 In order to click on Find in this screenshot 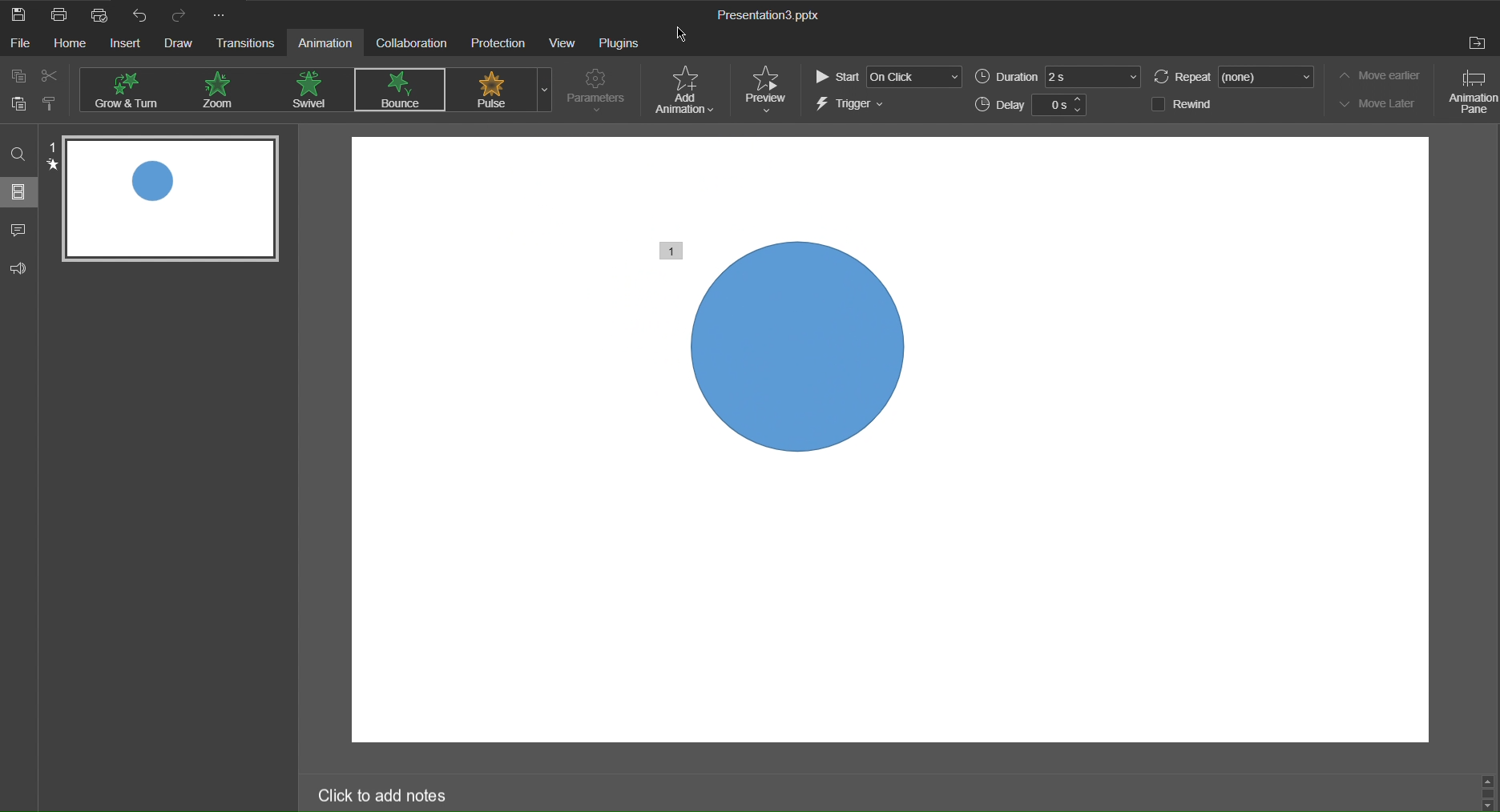, I will do `click(19, 152)`.